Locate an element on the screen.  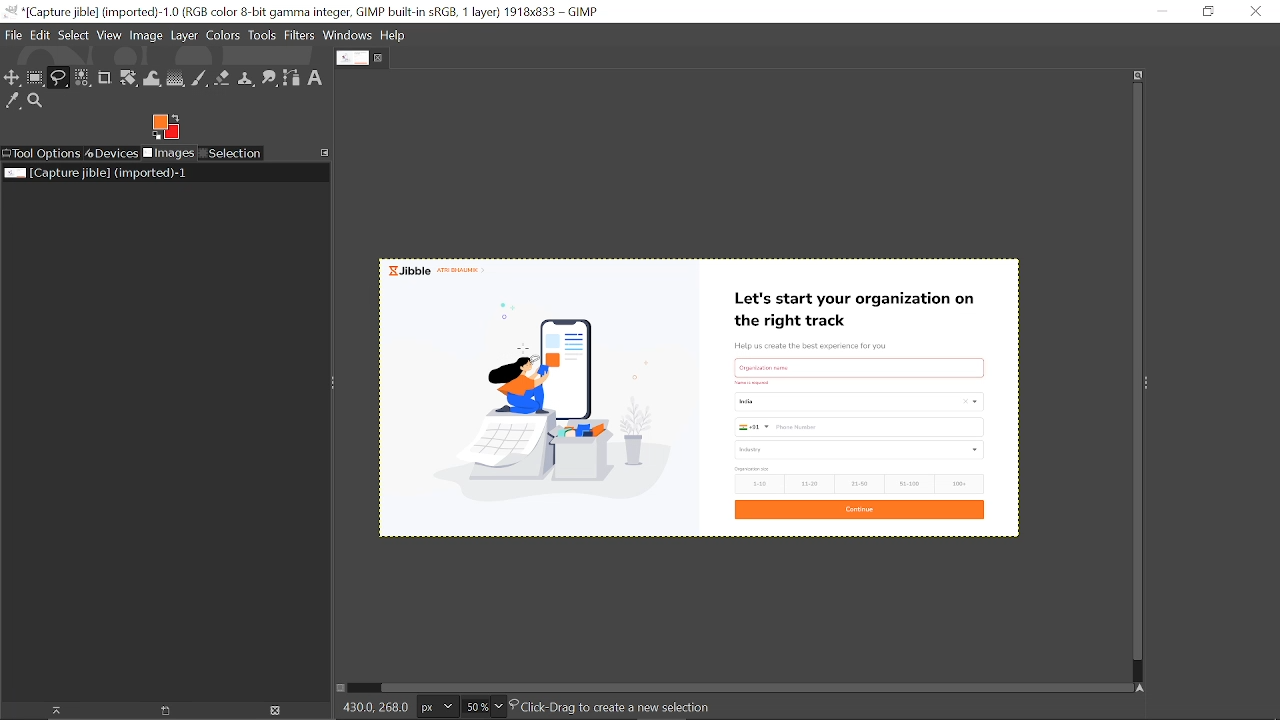
File is located at coordinates (13, 35).